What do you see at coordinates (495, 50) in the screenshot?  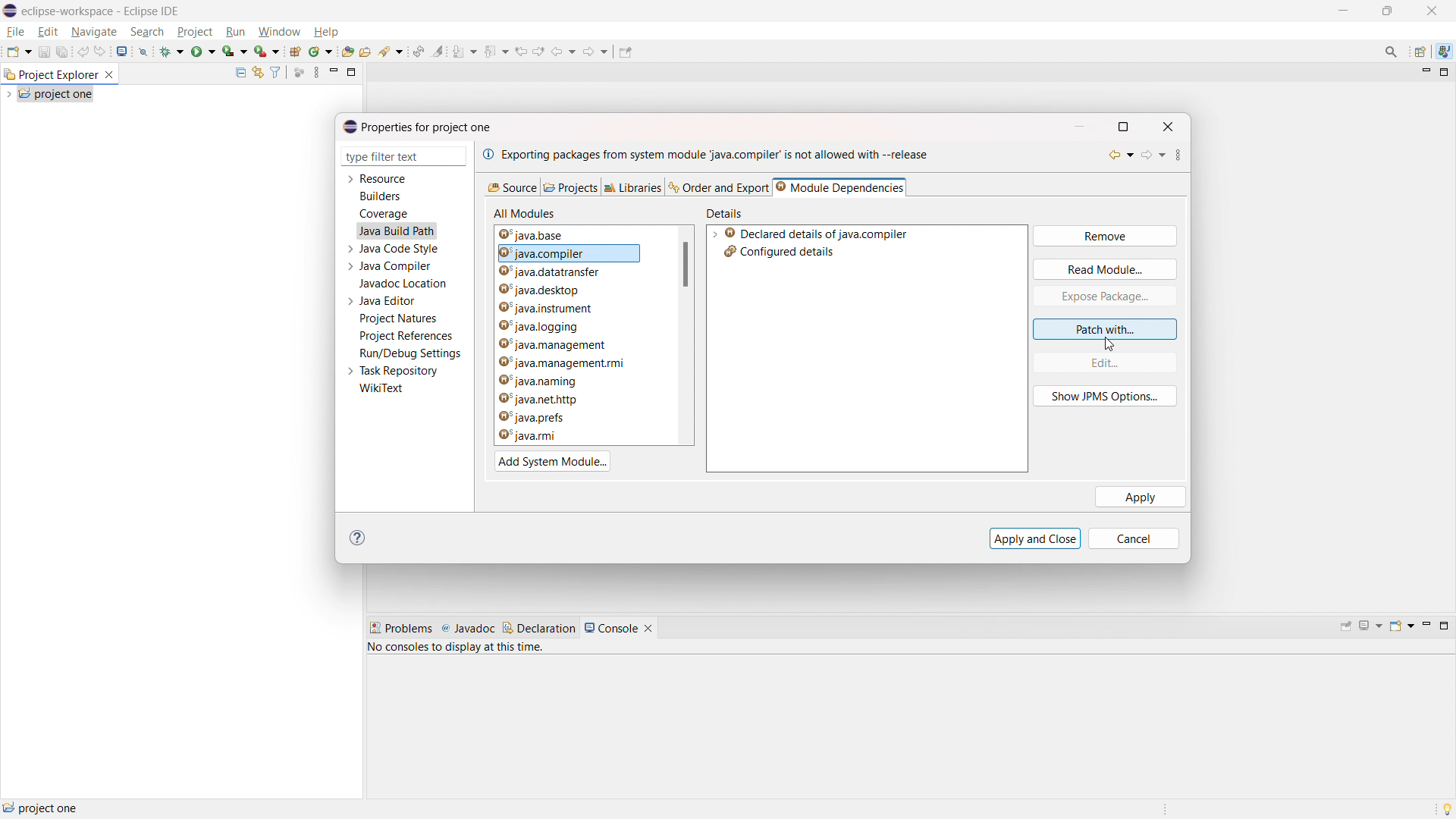 I see `previous annotation` at bounding box center [495, 50].